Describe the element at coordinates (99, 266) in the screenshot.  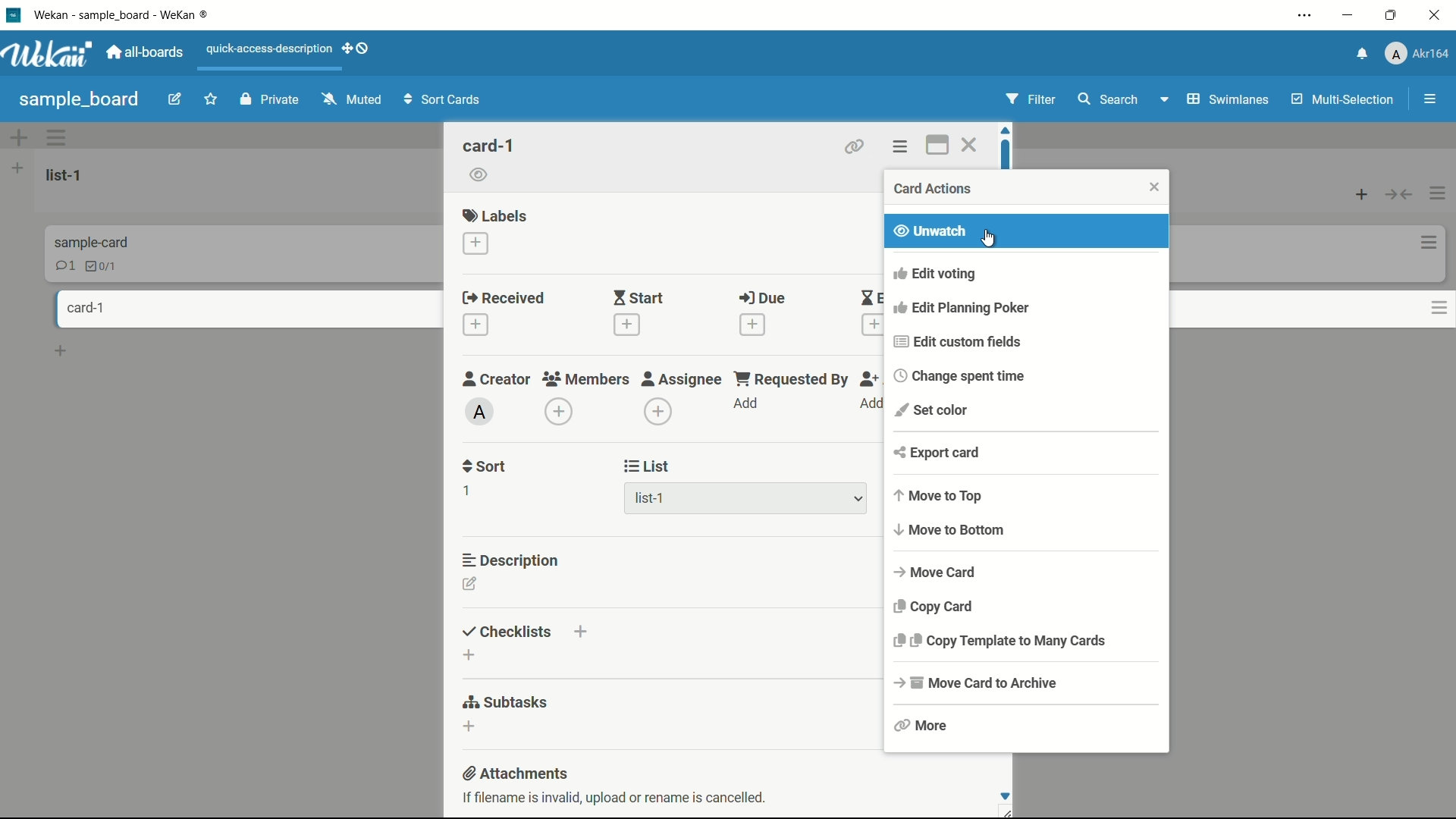
I see `checklist` at that location.